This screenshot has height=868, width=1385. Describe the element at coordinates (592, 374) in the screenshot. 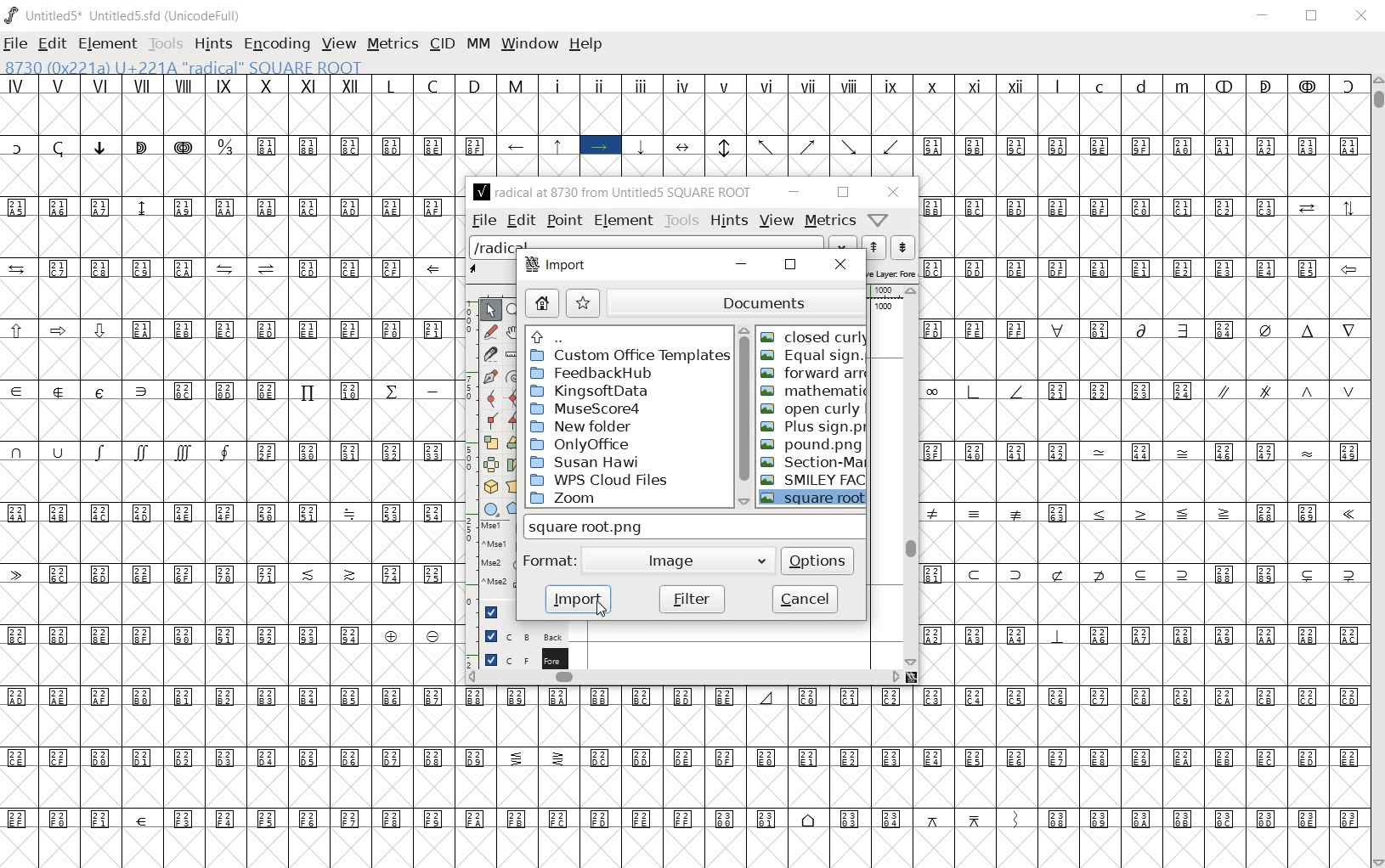

I see `FeedbackHub` at that location.